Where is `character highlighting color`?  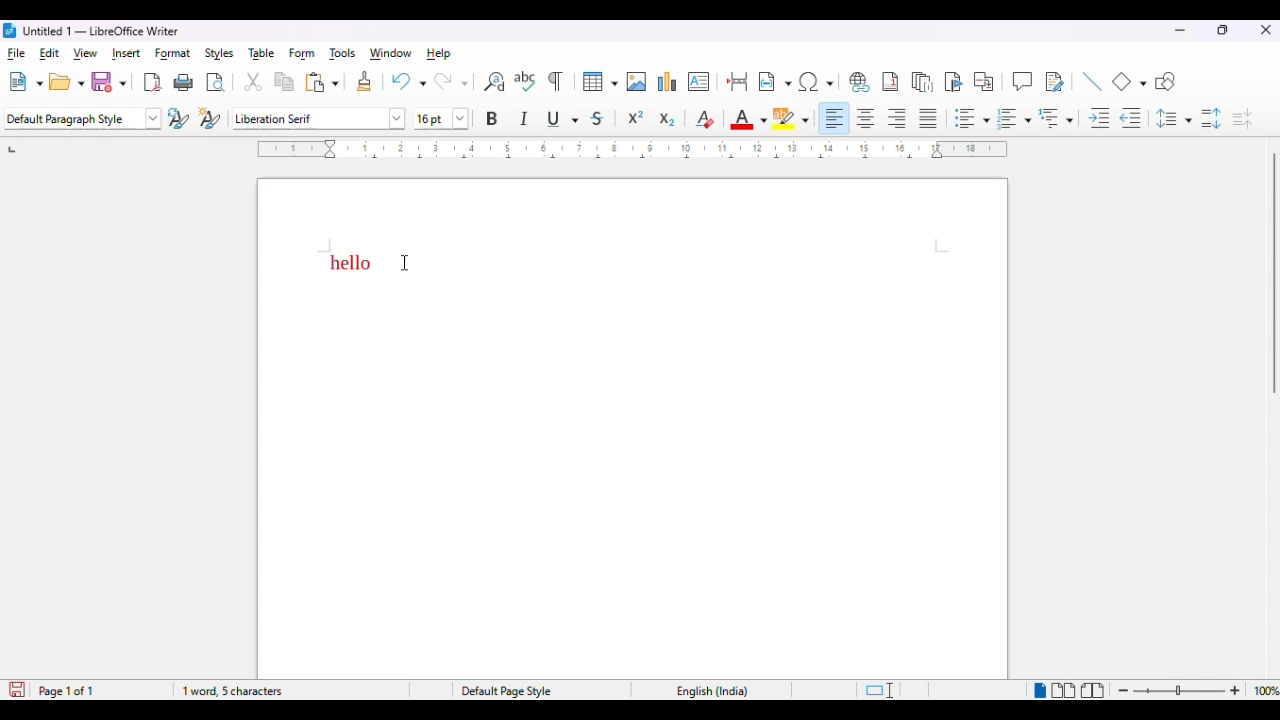 character highlighting color is located at coordinates (792, 118).